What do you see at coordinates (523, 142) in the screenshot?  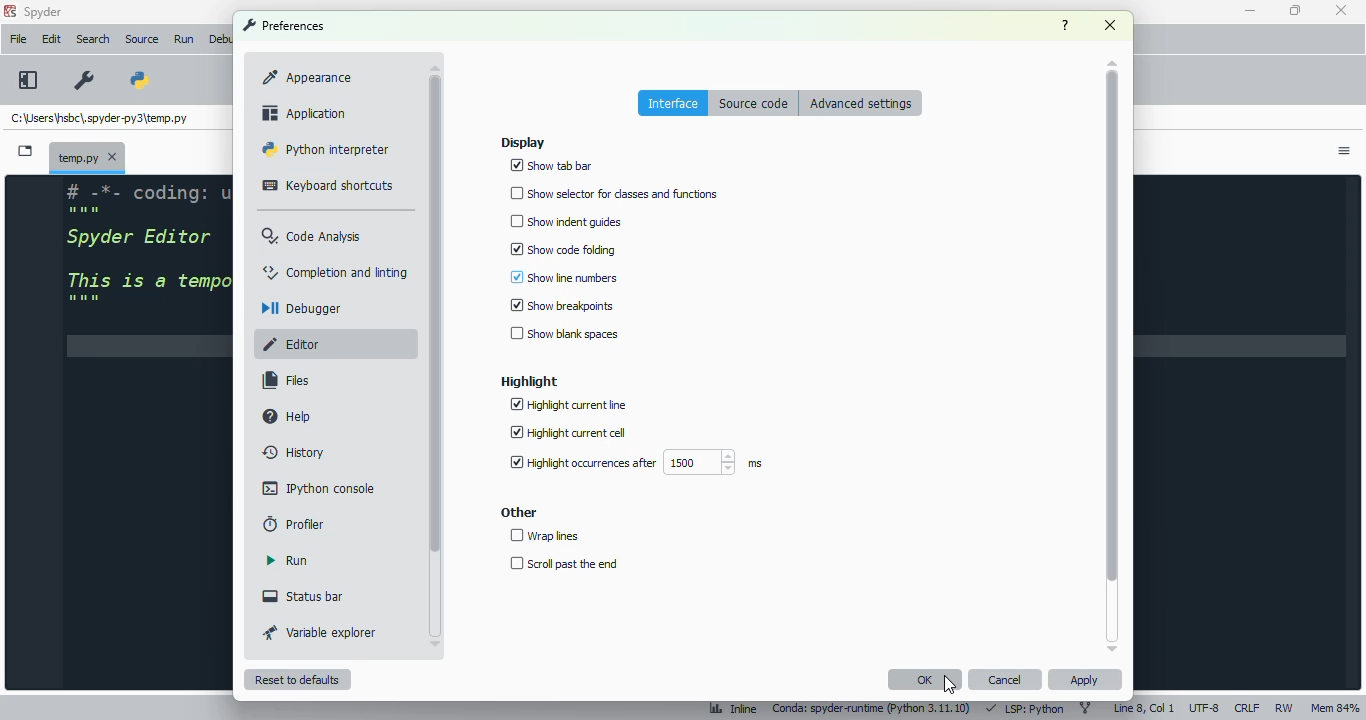 I see `display` at bounding box center [523, 142].